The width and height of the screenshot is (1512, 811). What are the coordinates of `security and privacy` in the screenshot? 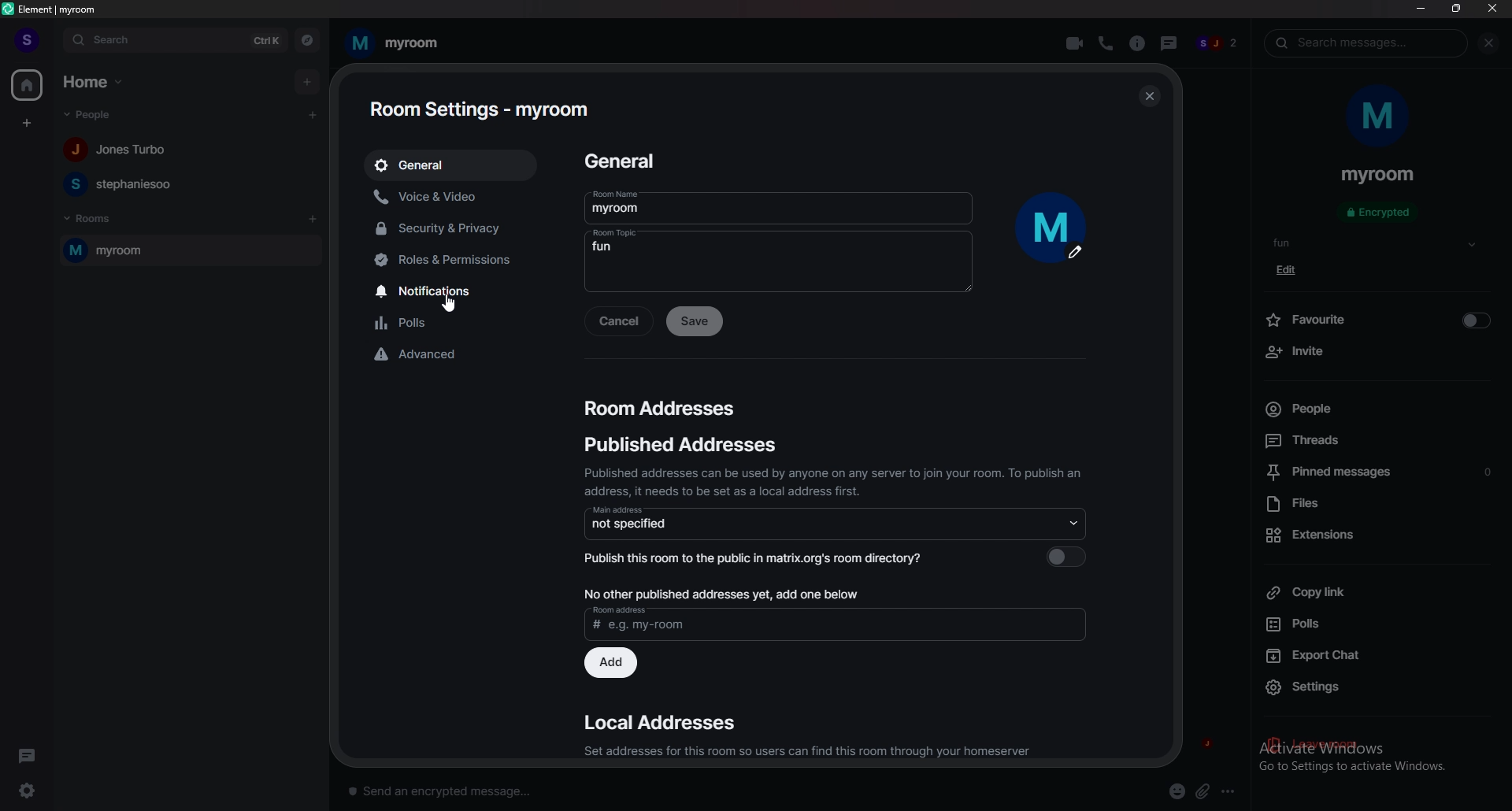 It's located at (454, 228).